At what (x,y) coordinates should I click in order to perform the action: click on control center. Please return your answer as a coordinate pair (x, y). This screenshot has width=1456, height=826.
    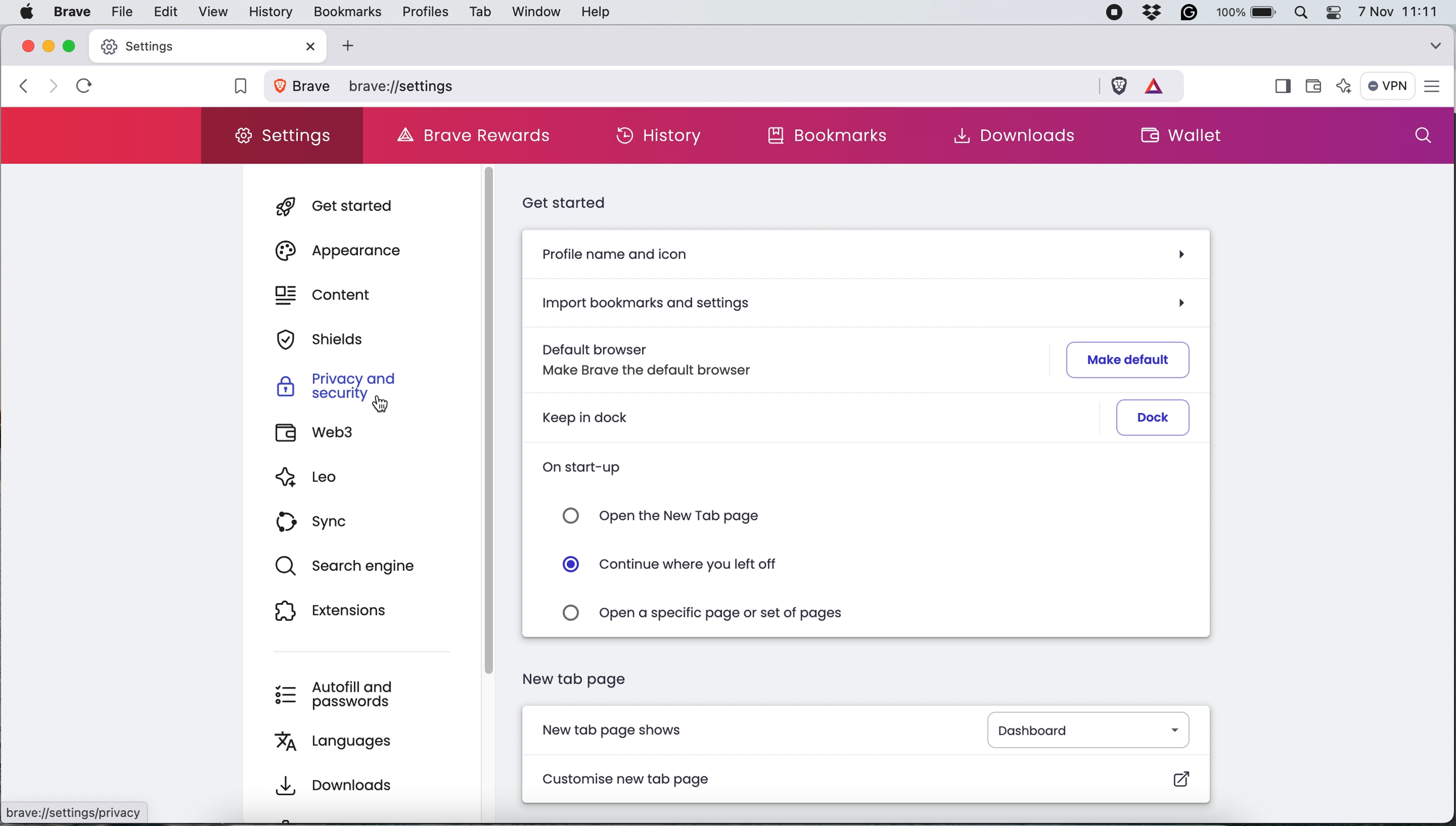
    Looking at the image, I should click on (1337, 12).